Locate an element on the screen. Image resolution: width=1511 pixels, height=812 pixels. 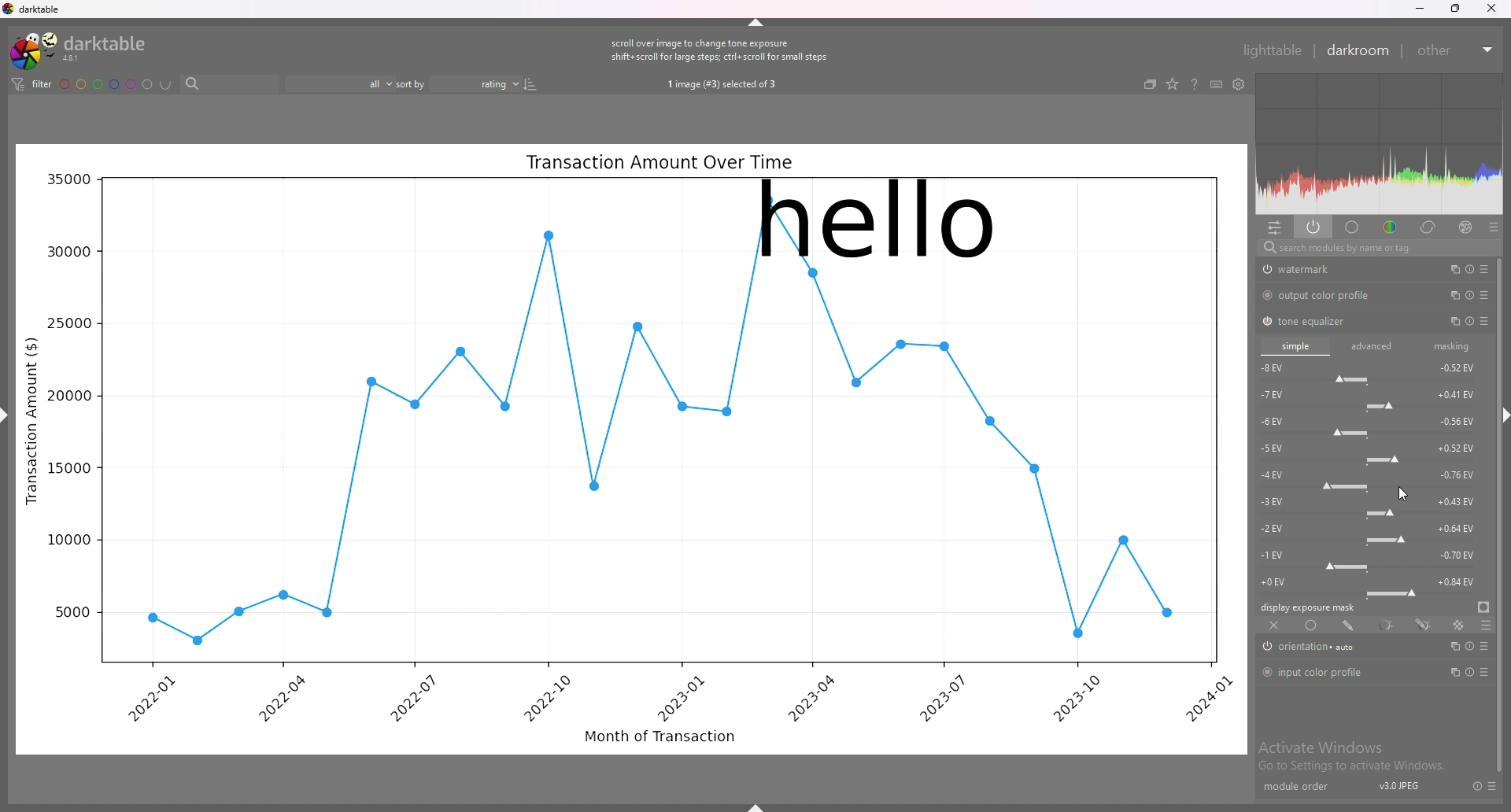
2024-01 is located at coordinates (1207, 699).